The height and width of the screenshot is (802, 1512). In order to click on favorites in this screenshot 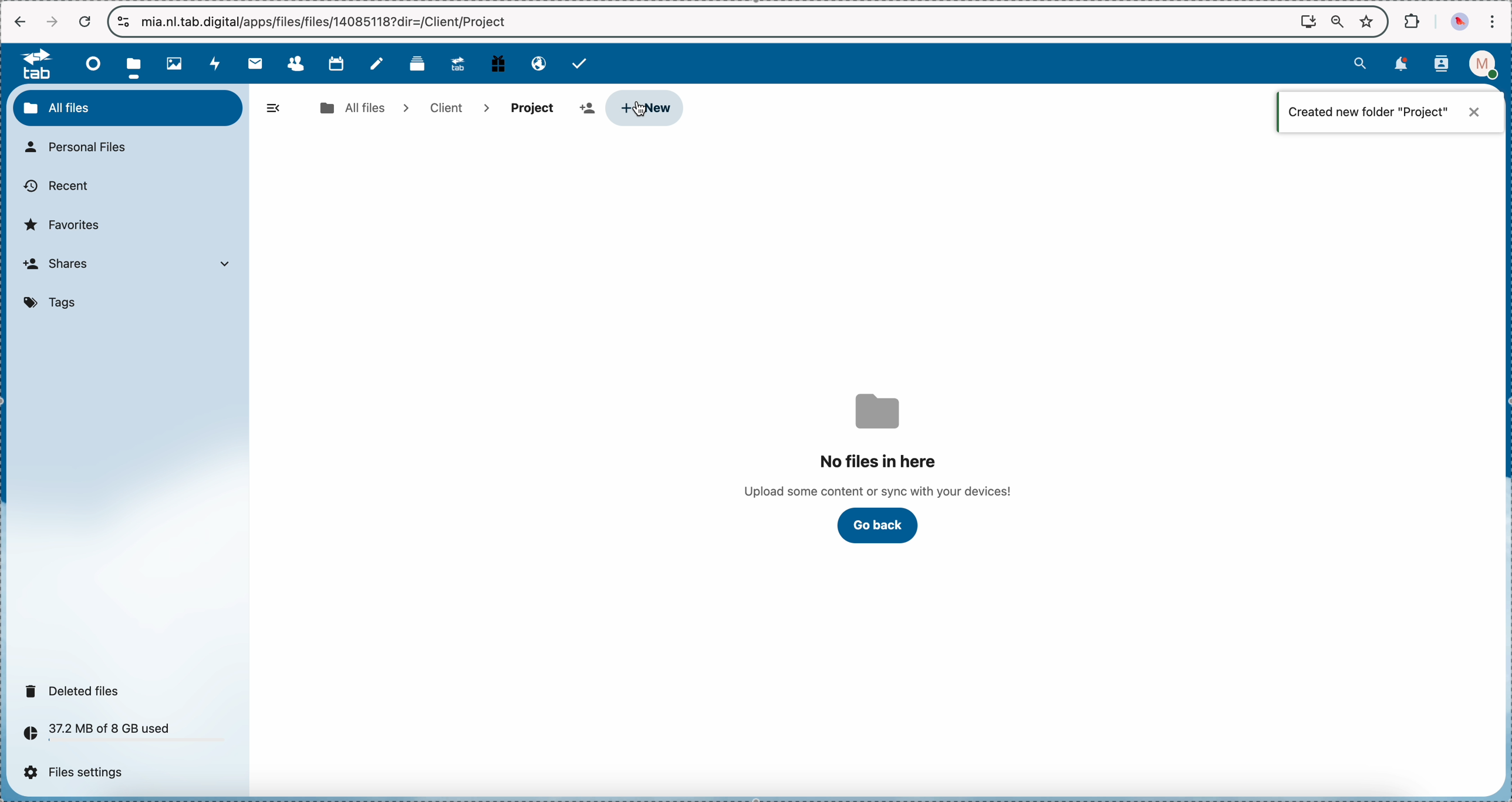, I will do `click(66, 224)`.